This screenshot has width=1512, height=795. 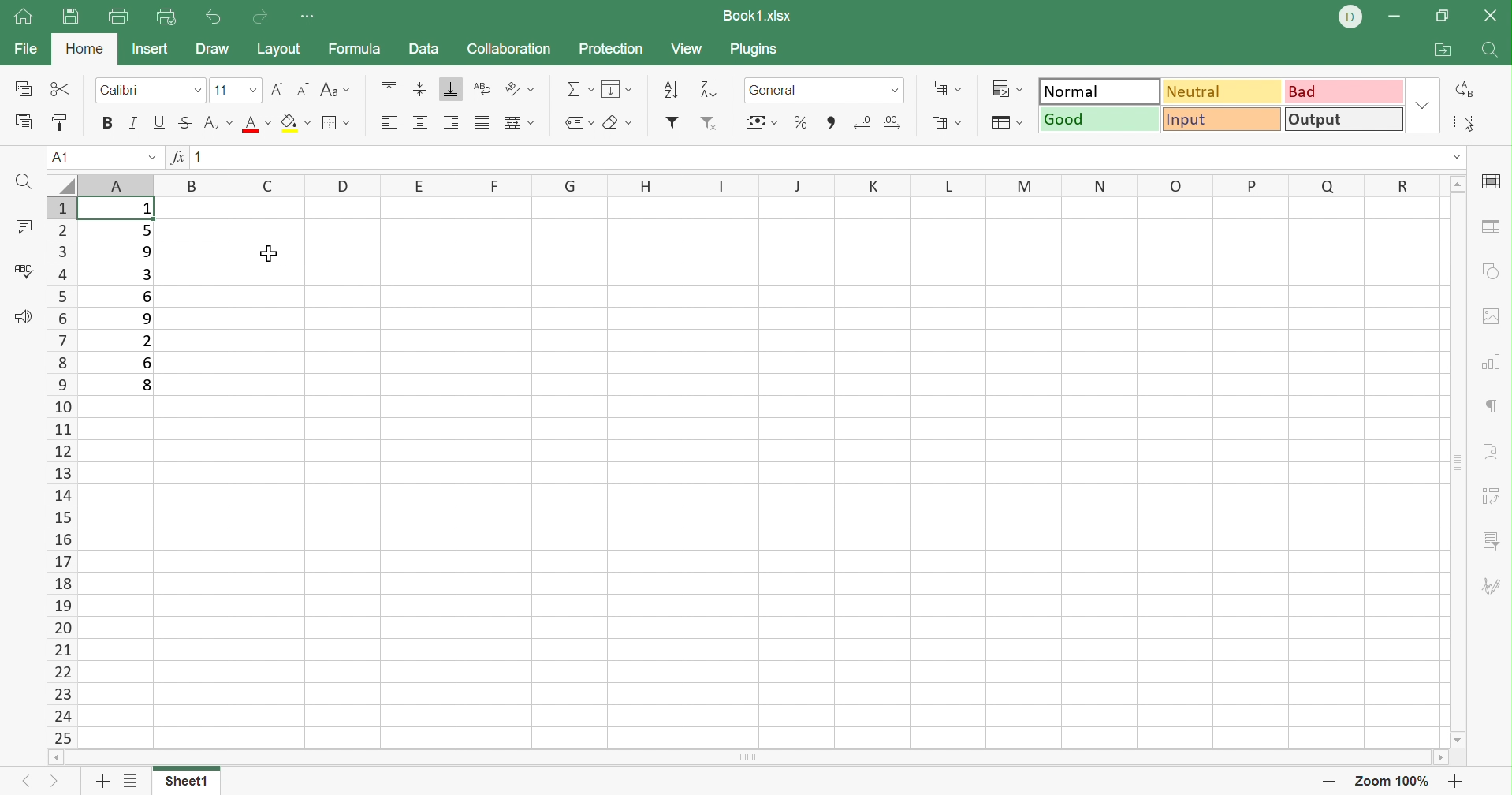 I want to click on Cell settings, so click(x=1492, y=182).